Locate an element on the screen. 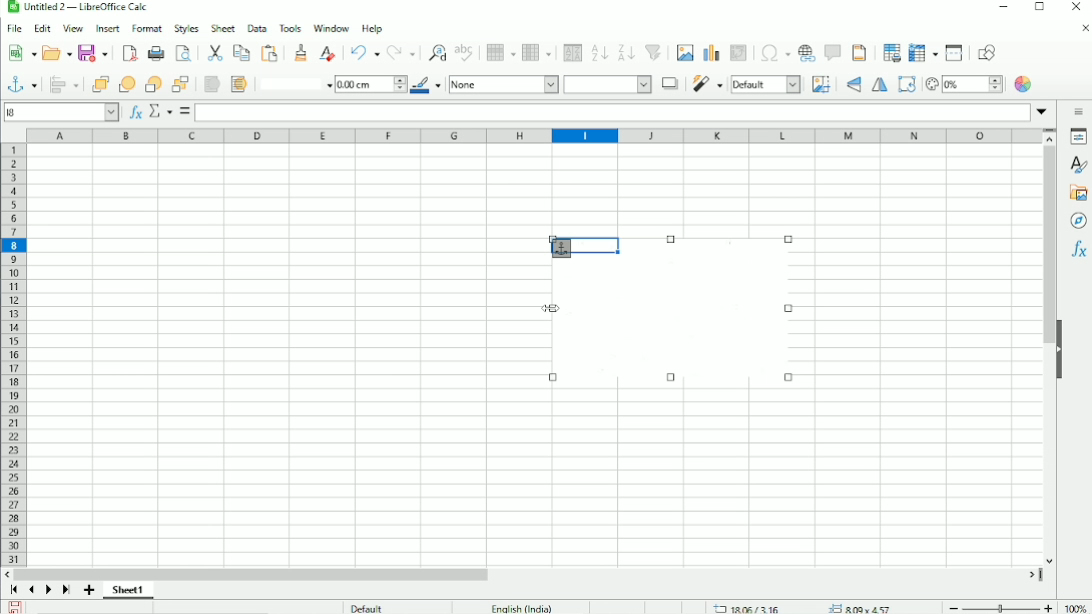 The height and width of the screenshot is (614, 1092). Print is located at coordinates (154, 54).